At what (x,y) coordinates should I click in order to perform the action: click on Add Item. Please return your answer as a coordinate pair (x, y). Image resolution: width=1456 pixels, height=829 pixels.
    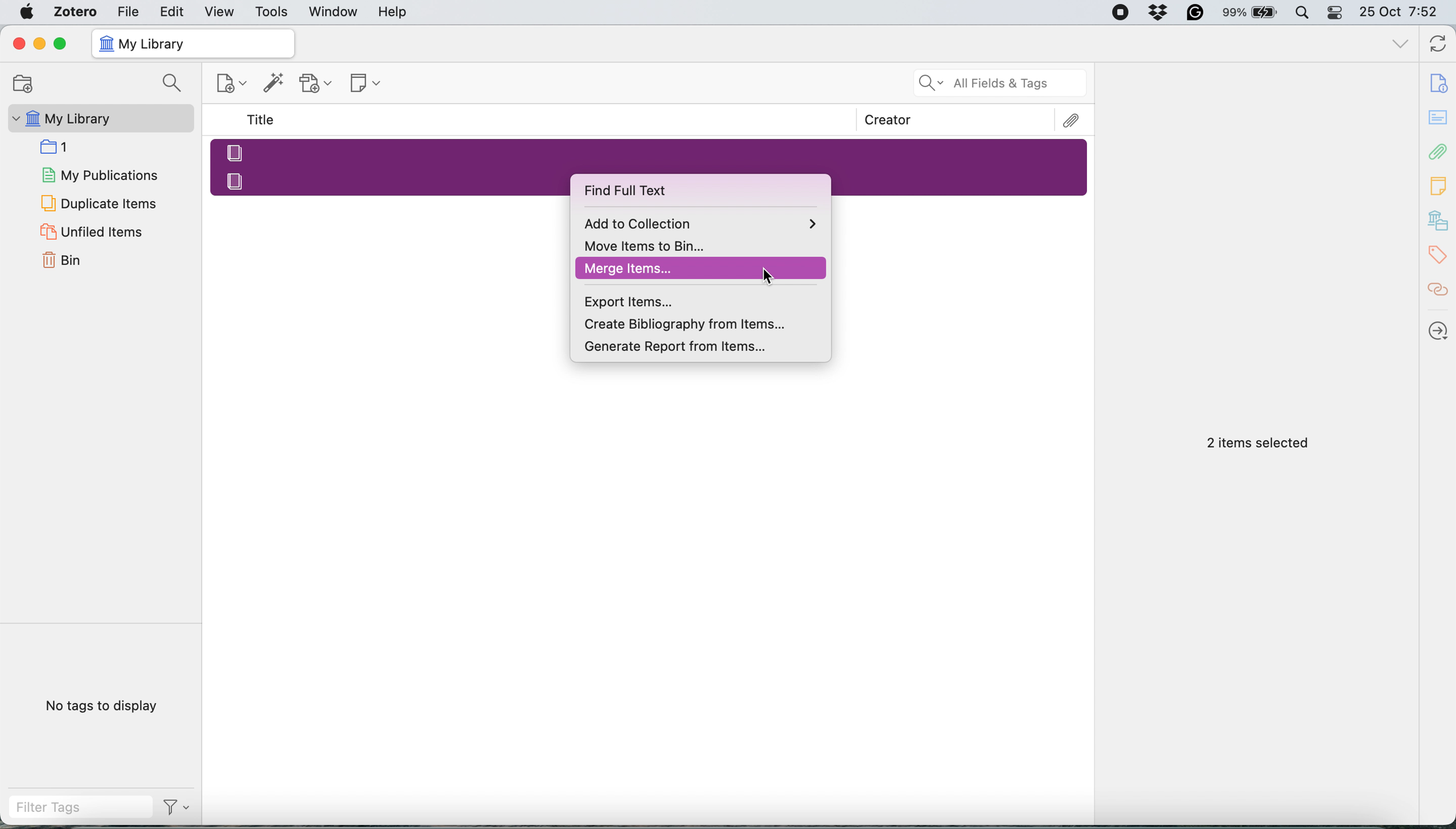
    Looking at the image, I should click on (274, 86).